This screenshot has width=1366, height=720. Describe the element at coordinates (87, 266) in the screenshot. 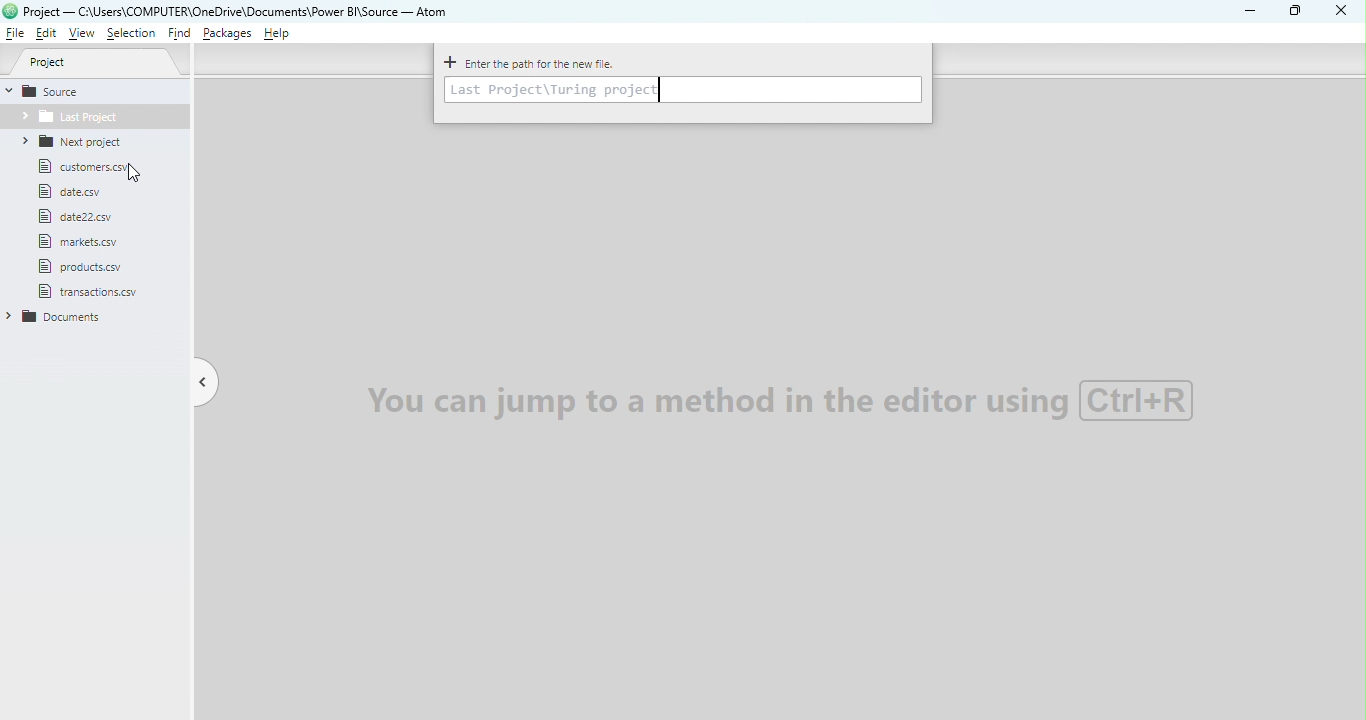

I see `file` at that location.